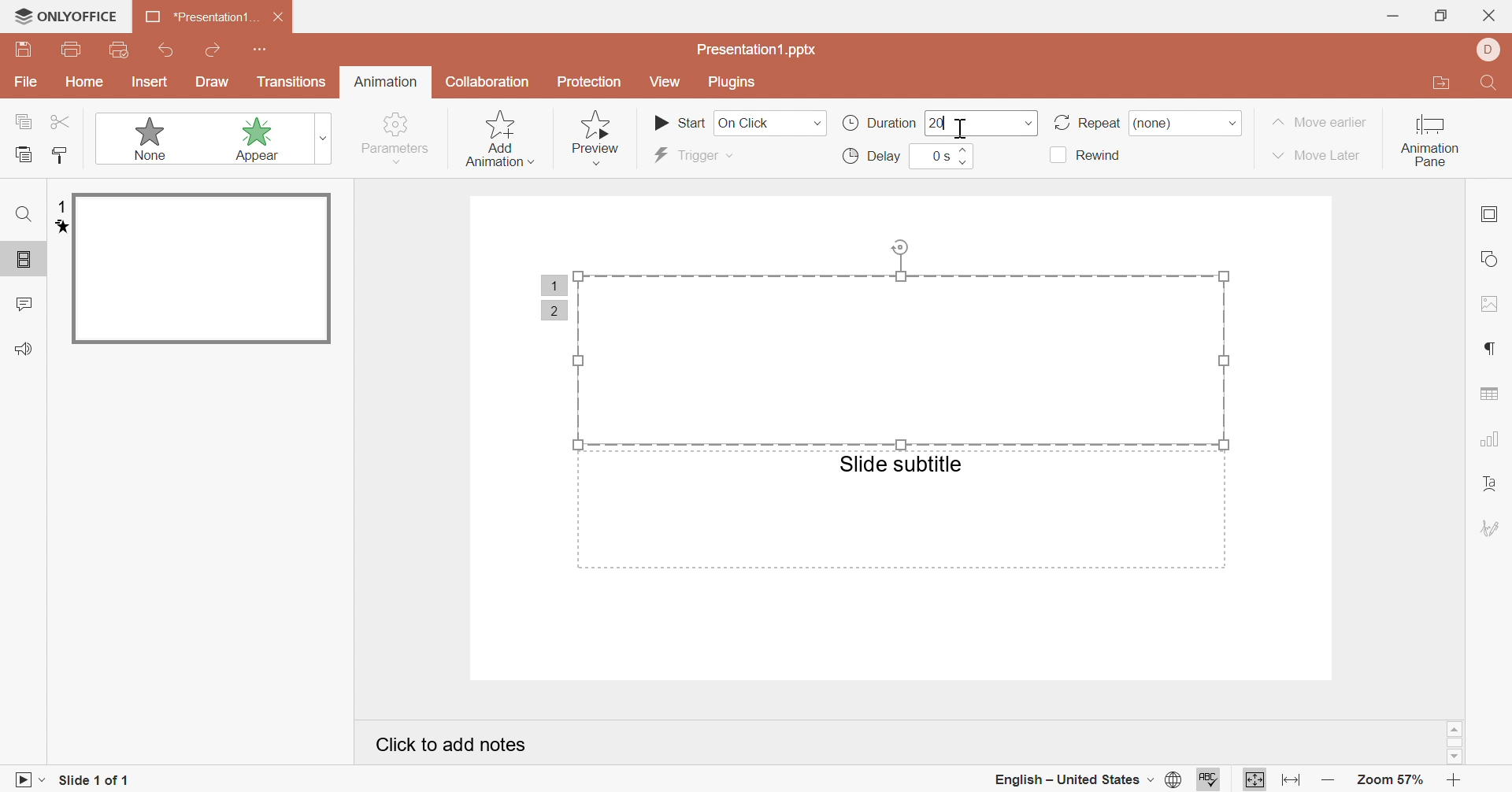 This screenshot has height=792, width=1512. What do you see at coordinates (291, 83) in the screenshot?
I see `transitions` at bounding box center [291, 83].